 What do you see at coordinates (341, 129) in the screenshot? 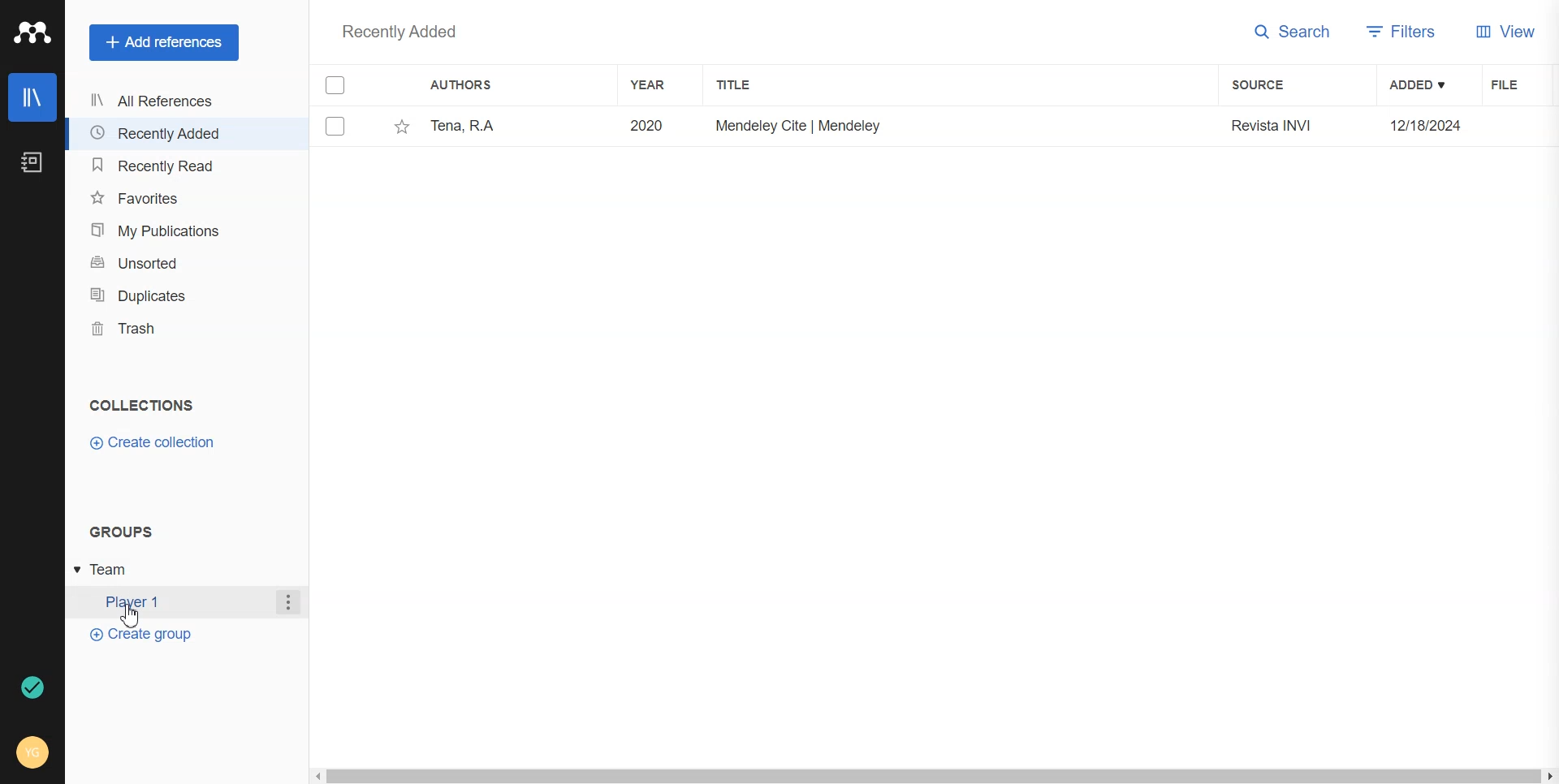
I see `Starred` at bounding box center [341, 129].